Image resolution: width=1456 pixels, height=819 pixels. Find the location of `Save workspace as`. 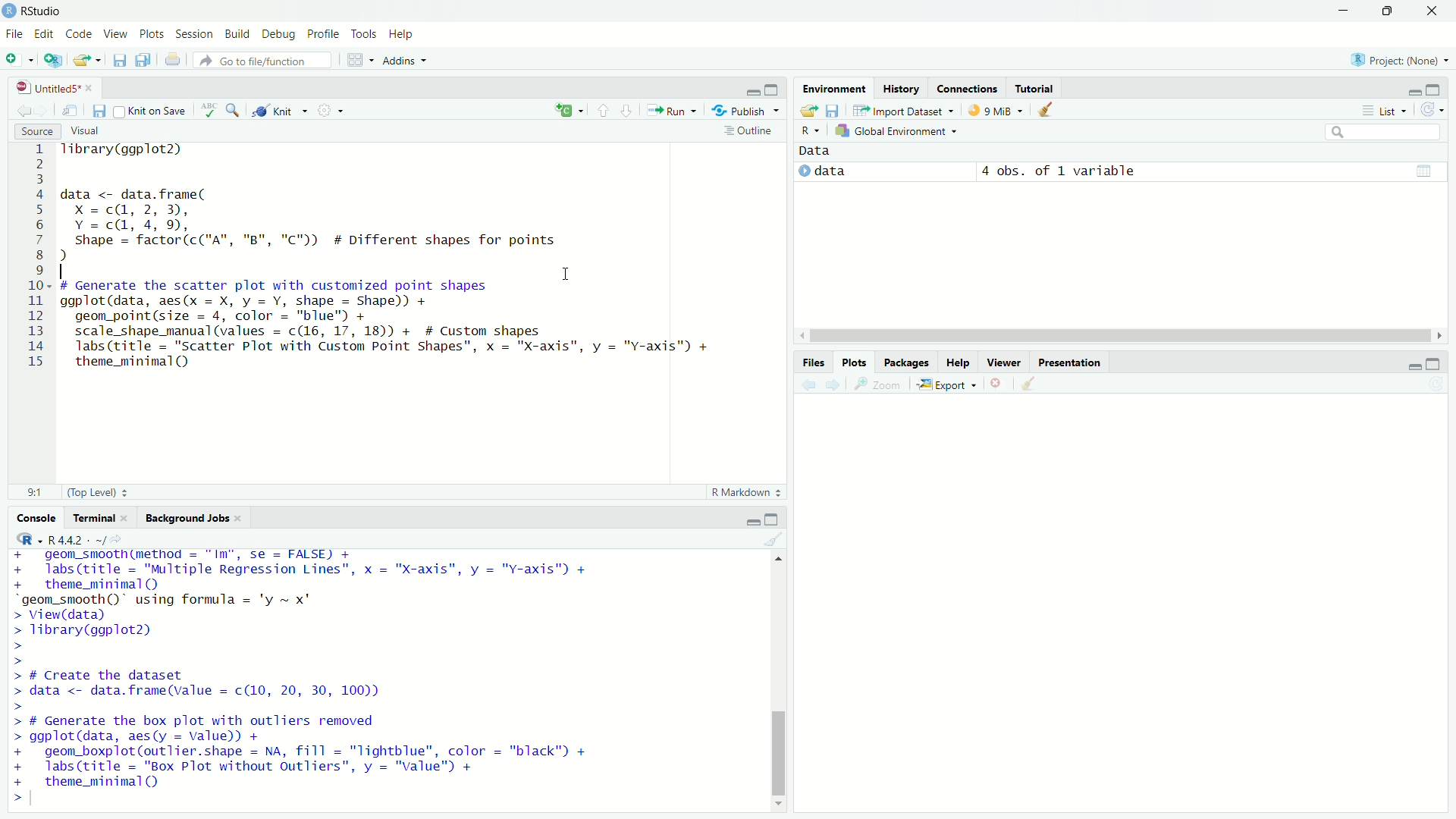

Save workspace as is located at coordinates (832, 111).